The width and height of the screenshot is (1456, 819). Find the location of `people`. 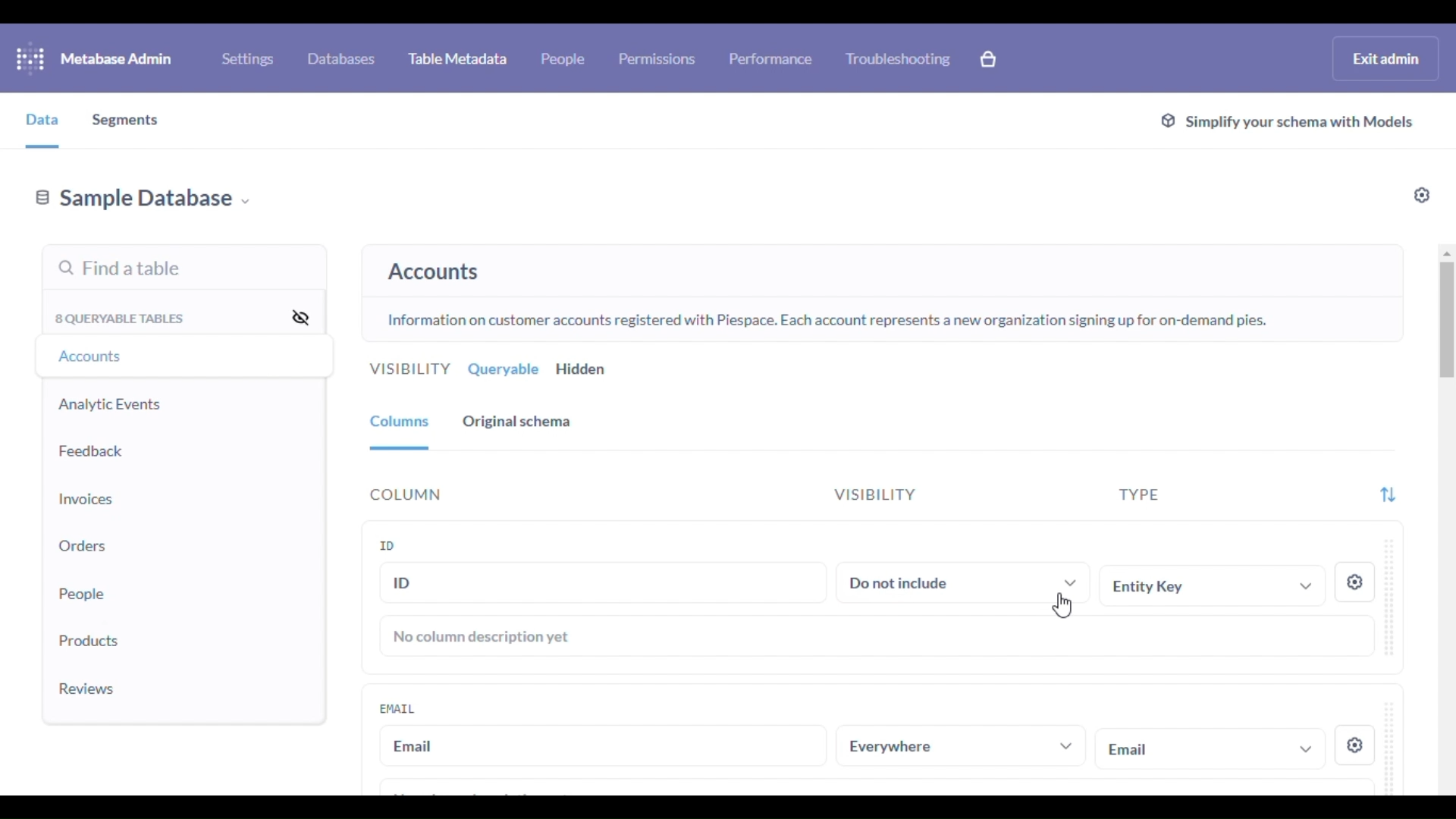

people is located at coordinates (563, 58).